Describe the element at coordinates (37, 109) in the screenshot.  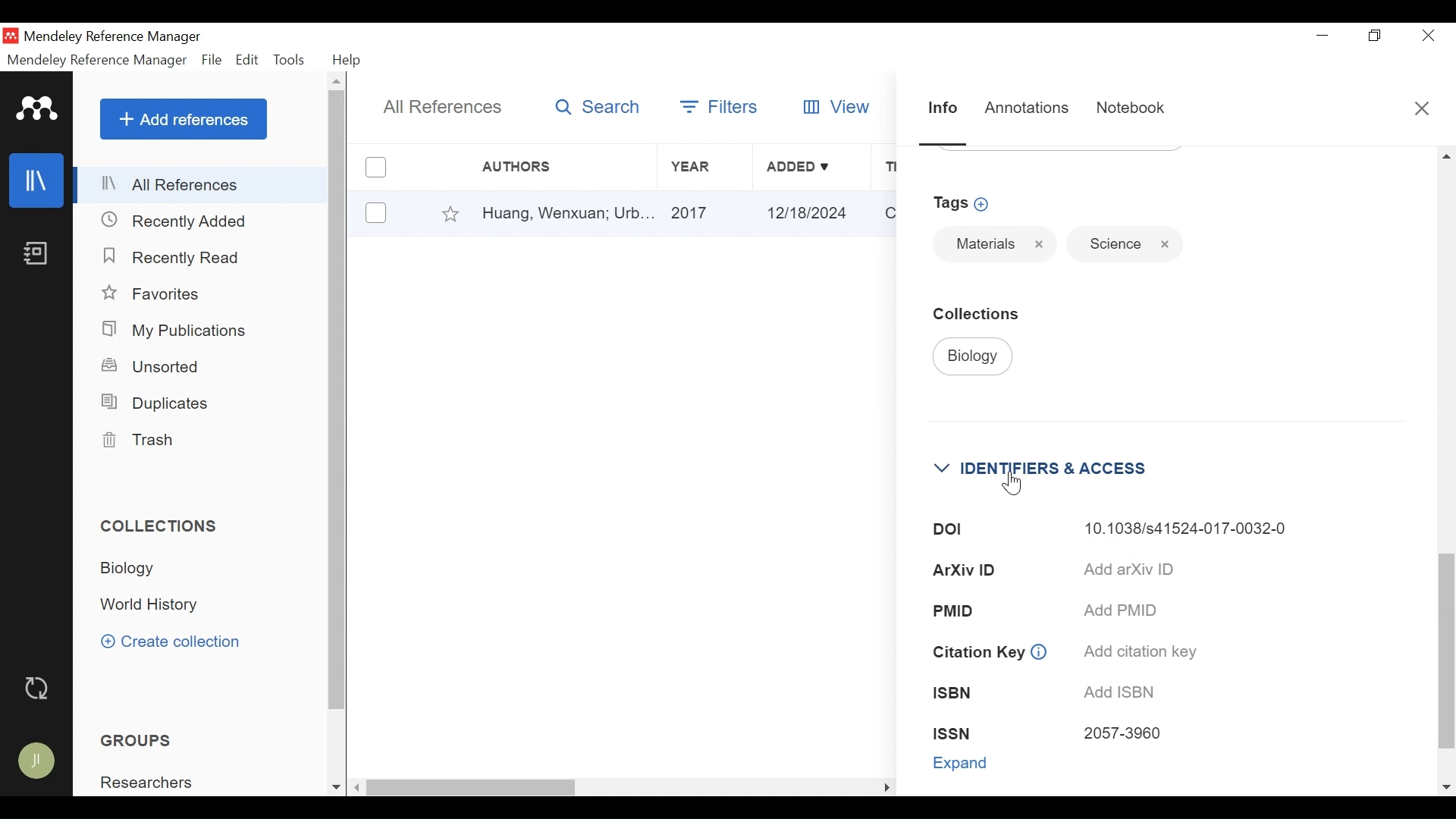
I see `Mendeley ` at that location.